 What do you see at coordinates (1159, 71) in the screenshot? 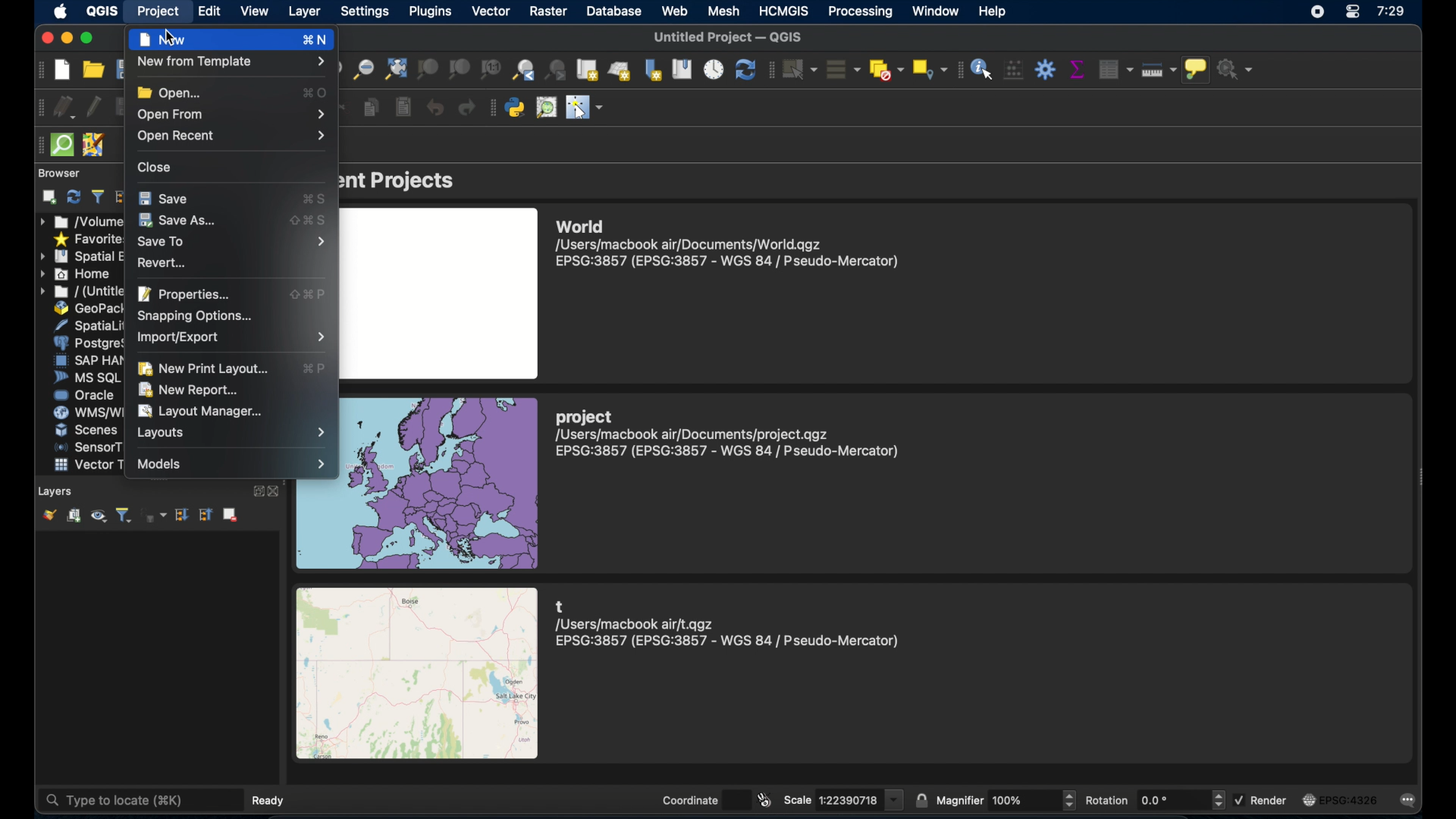
I see `measure line` at bounding box center [1159, 71].